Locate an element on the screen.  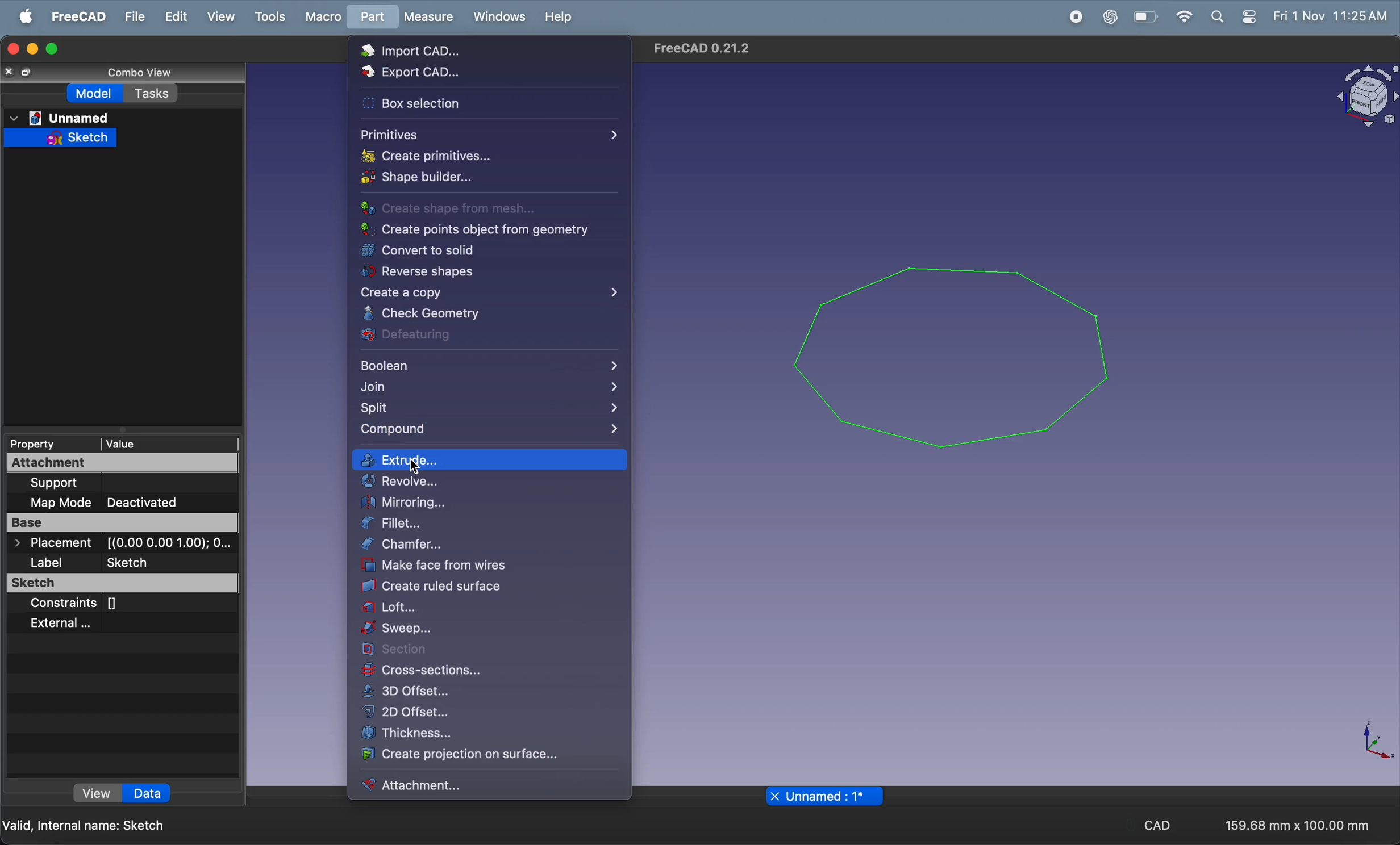
tools is located at coordinates (268, 16).